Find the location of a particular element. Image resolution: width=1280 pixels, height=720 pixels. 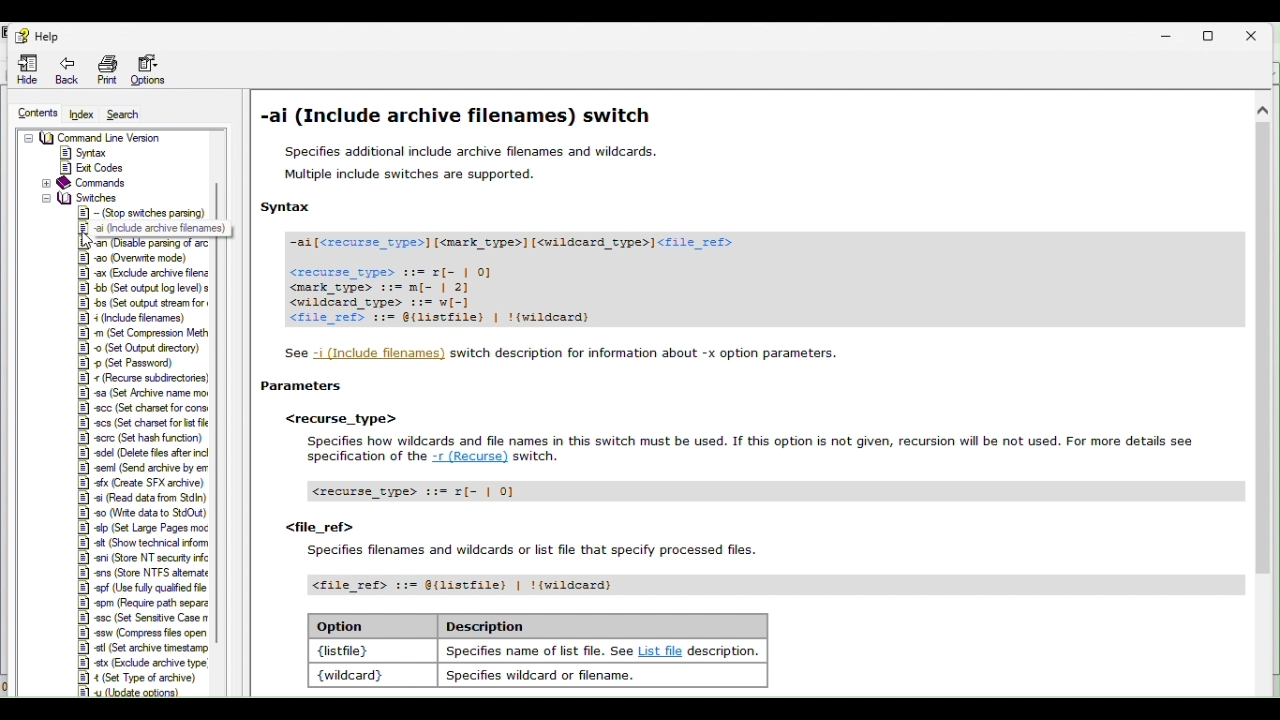

§] ens (Store NTFS altemate is located at coordinates (144, 573).